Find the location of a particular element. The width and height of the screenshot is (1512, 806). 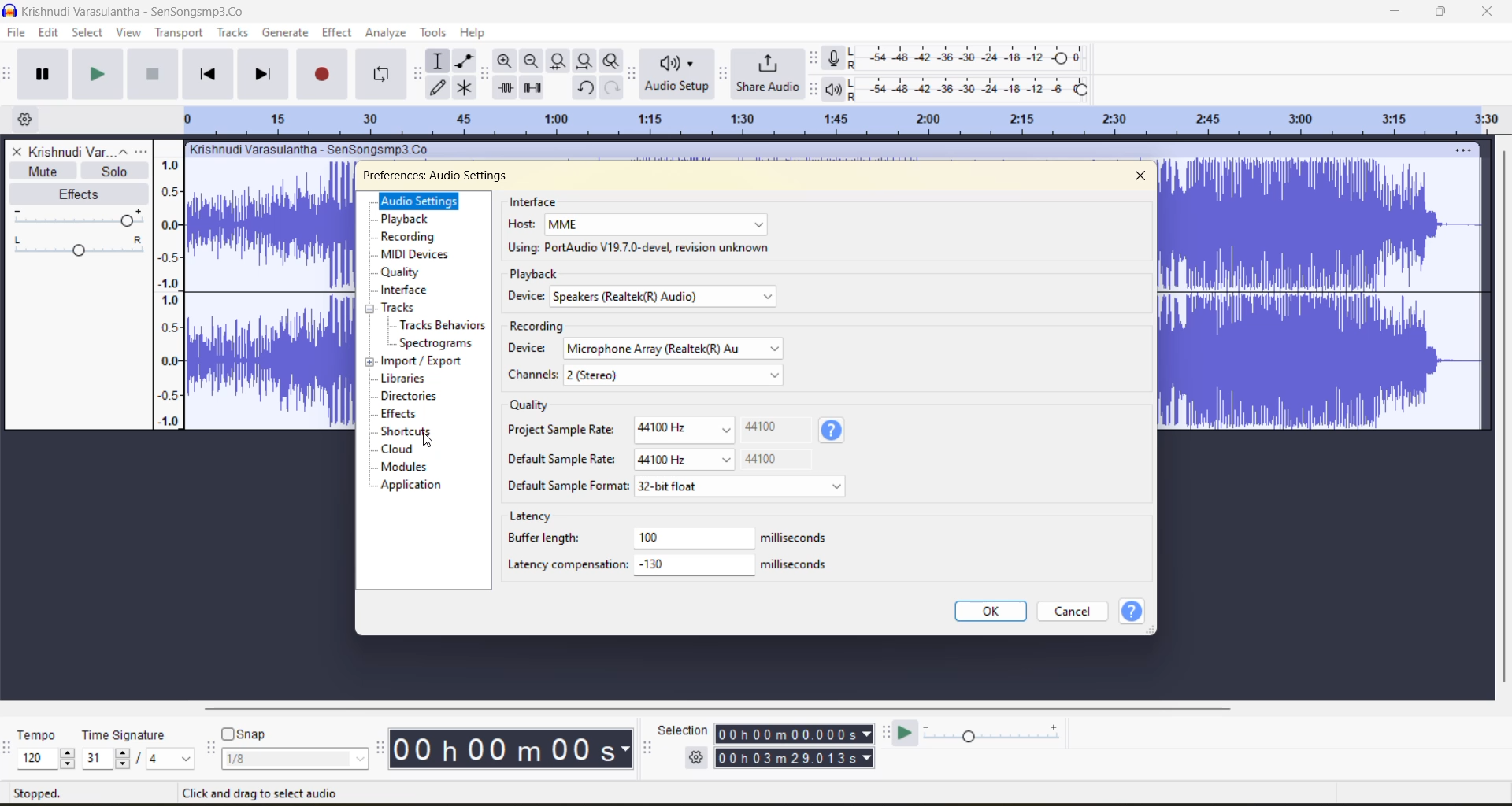

envelope tool is located at coordinates (465, 61).